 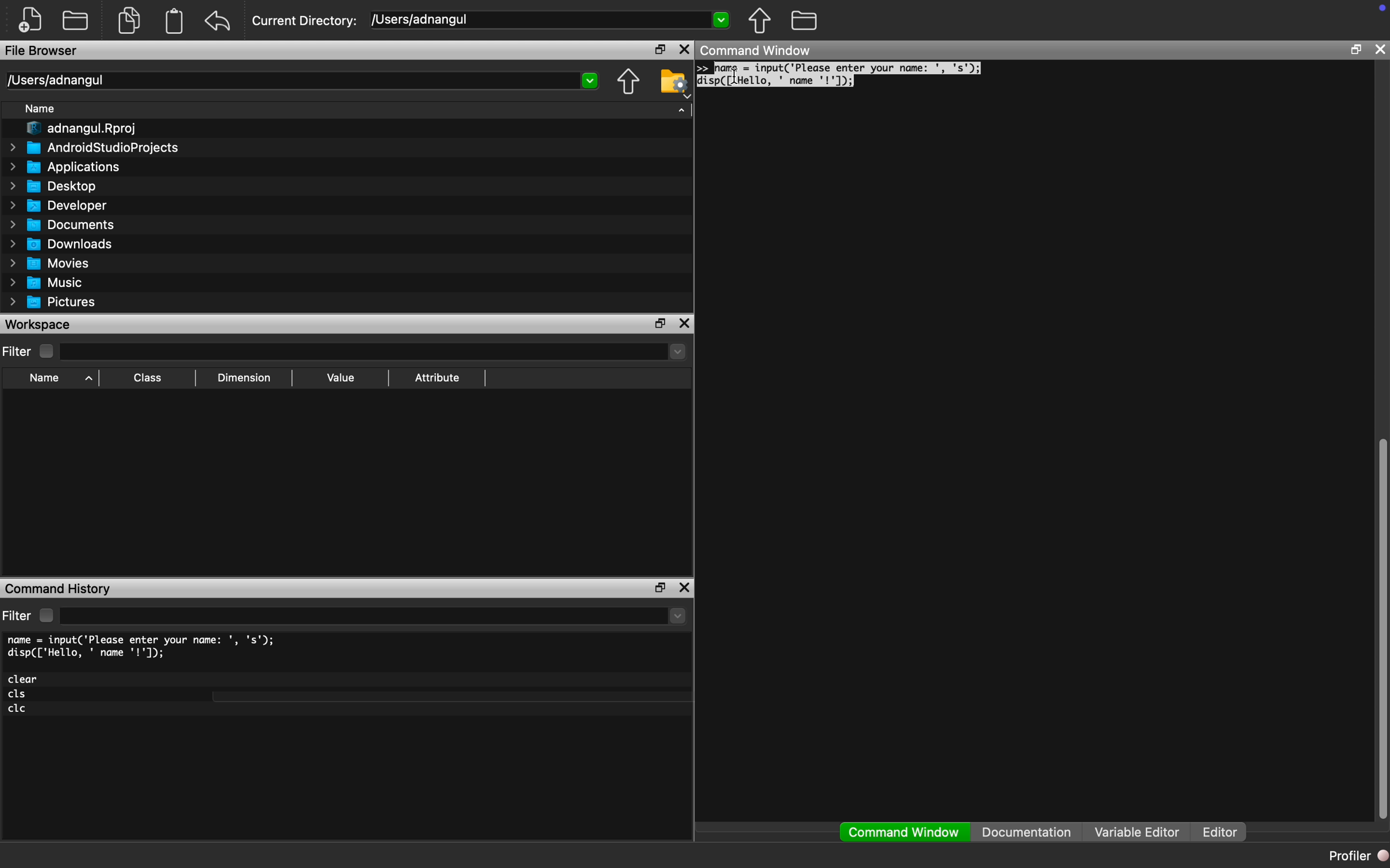 What do you see at coordinates (40, 324) in the screenshot?
I see `Workplace` at bounding box center [40, 324].